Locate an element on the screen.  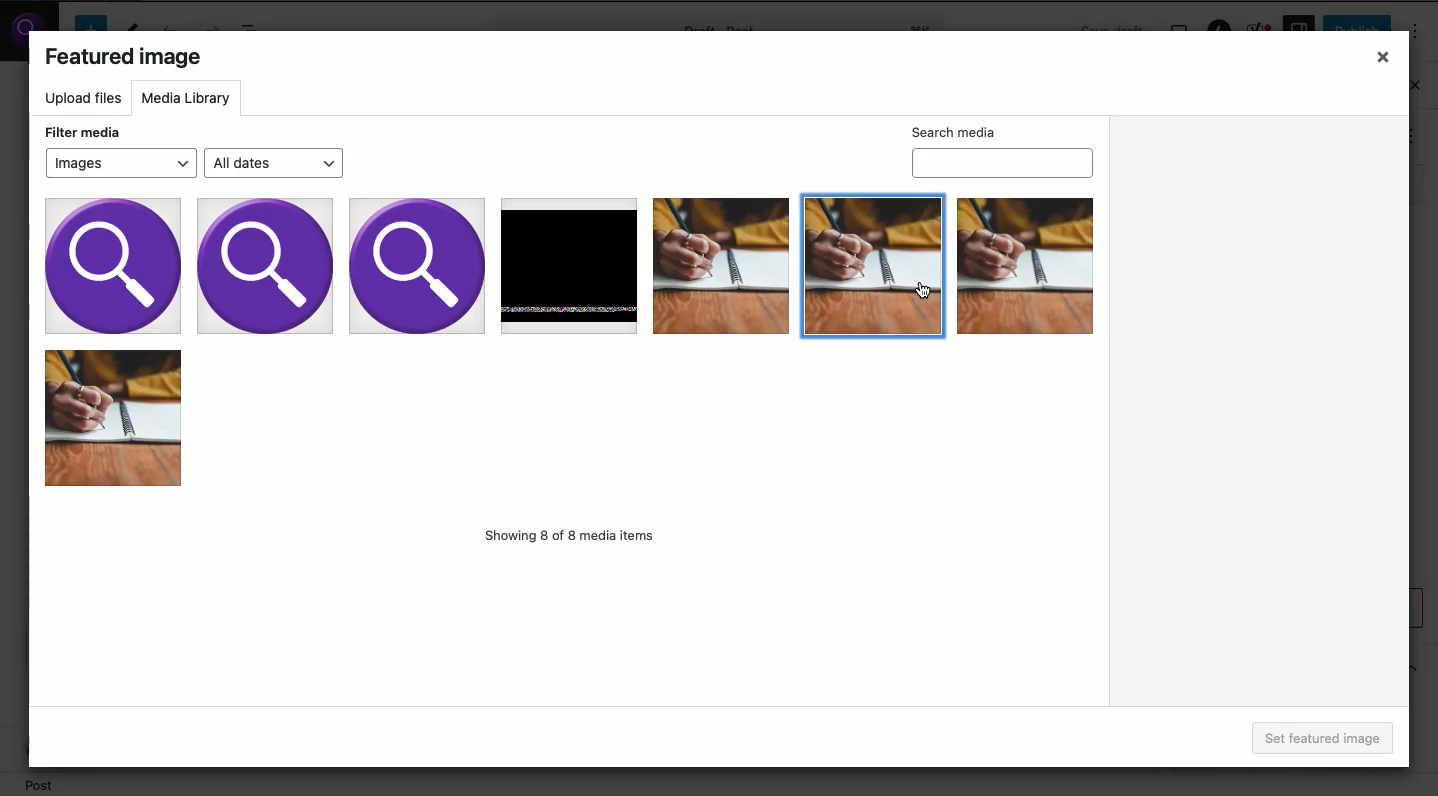
Image is located at coordinates (1025, 267).